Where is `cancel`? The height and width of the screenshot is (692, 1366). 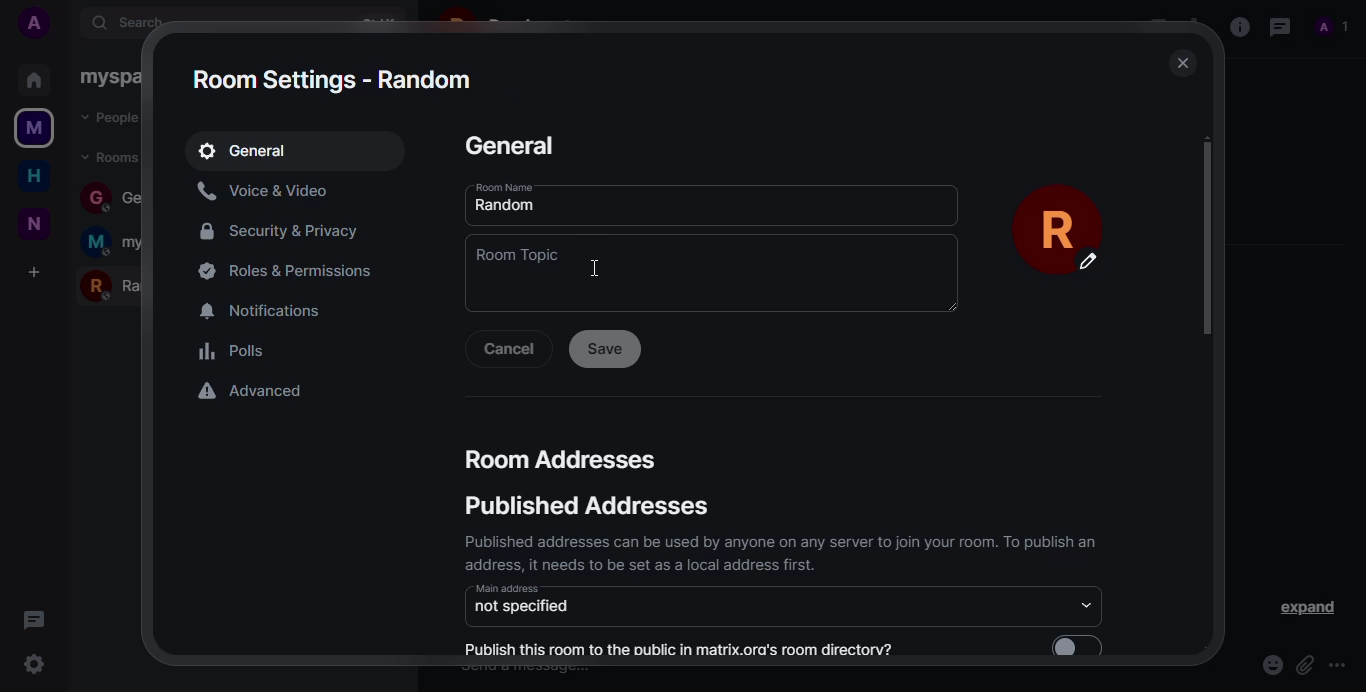
cancel is located at coordinates (510, 351).